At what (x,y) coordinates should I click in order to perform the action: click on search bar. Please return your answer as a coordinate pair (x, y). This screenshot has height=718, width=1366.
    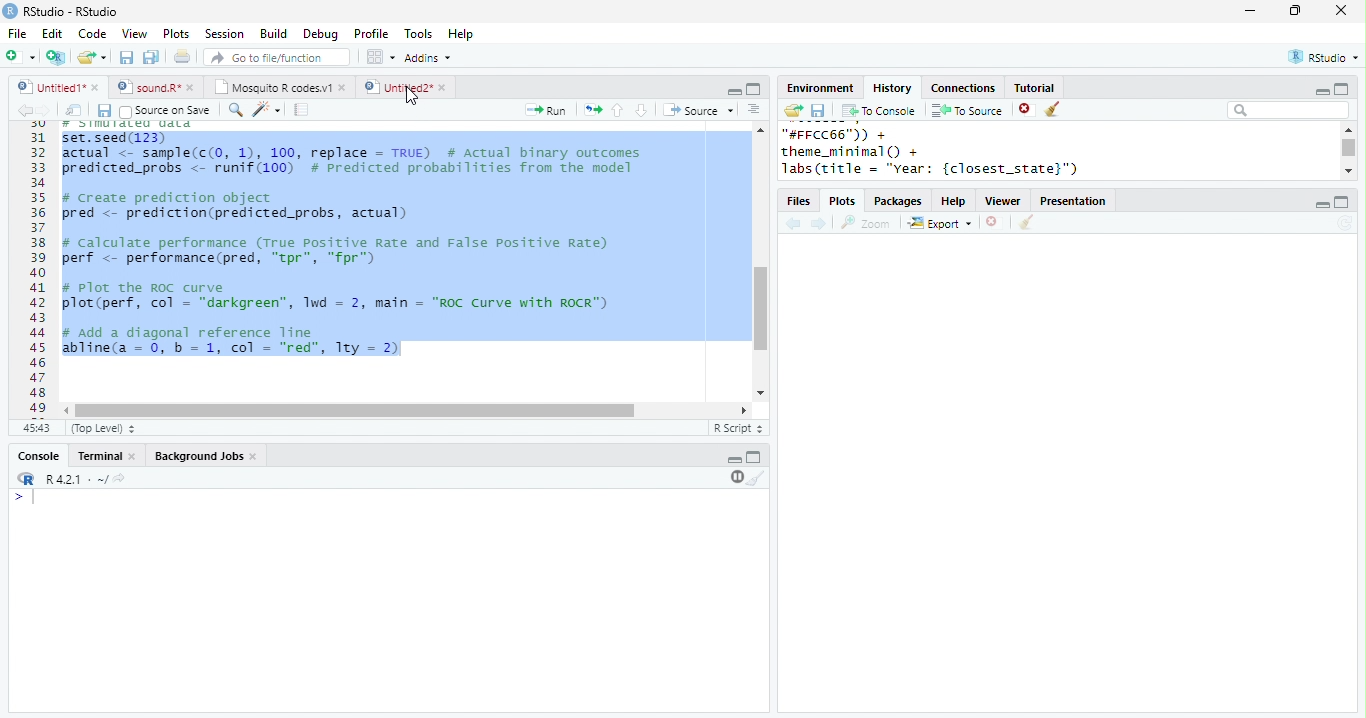
    Looking at the image, I should click on (1288, 109).